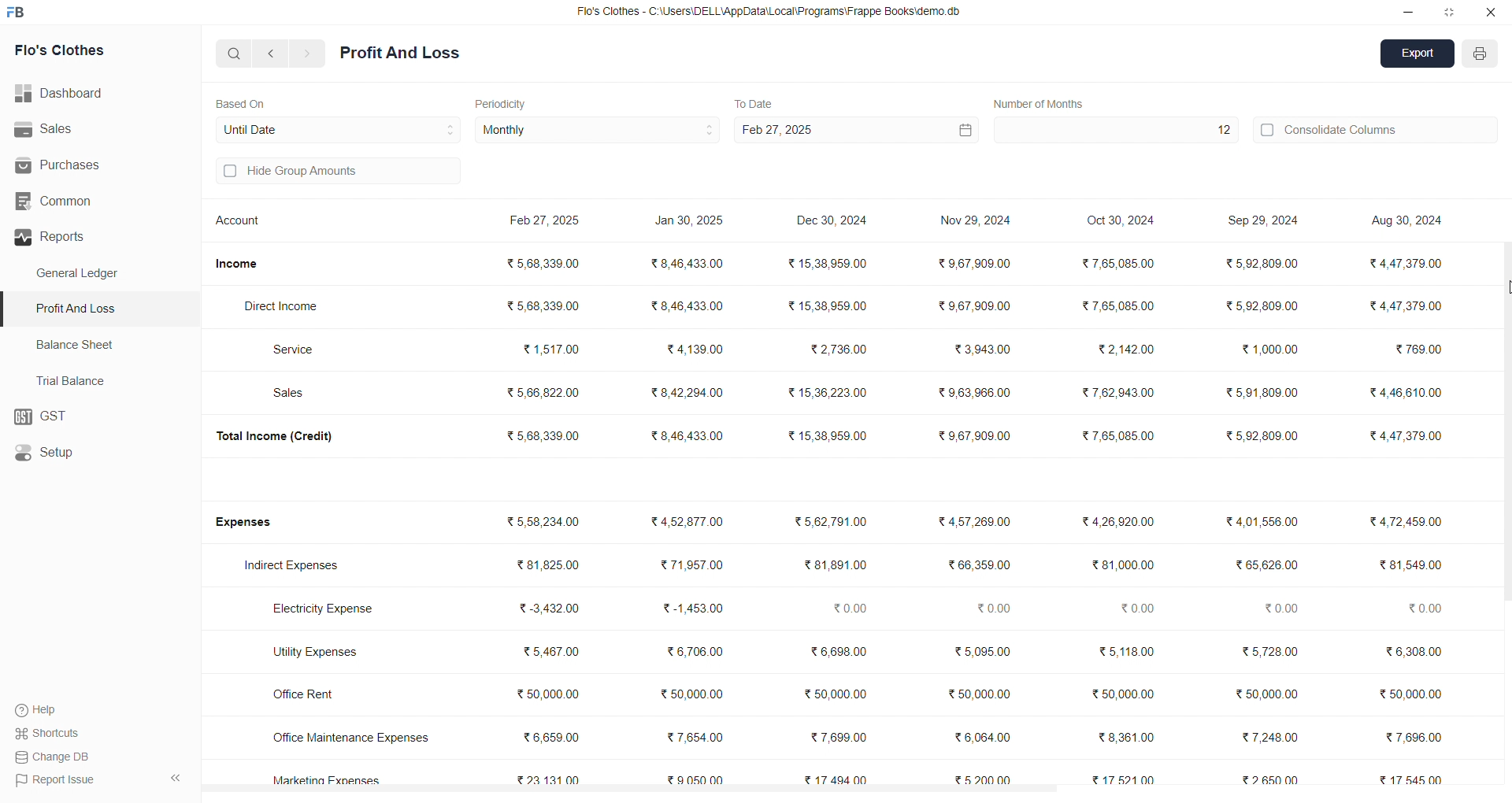 This screenshot has height=803, width=1512. I want to click on ₹50,000.00, so click(982, 693).